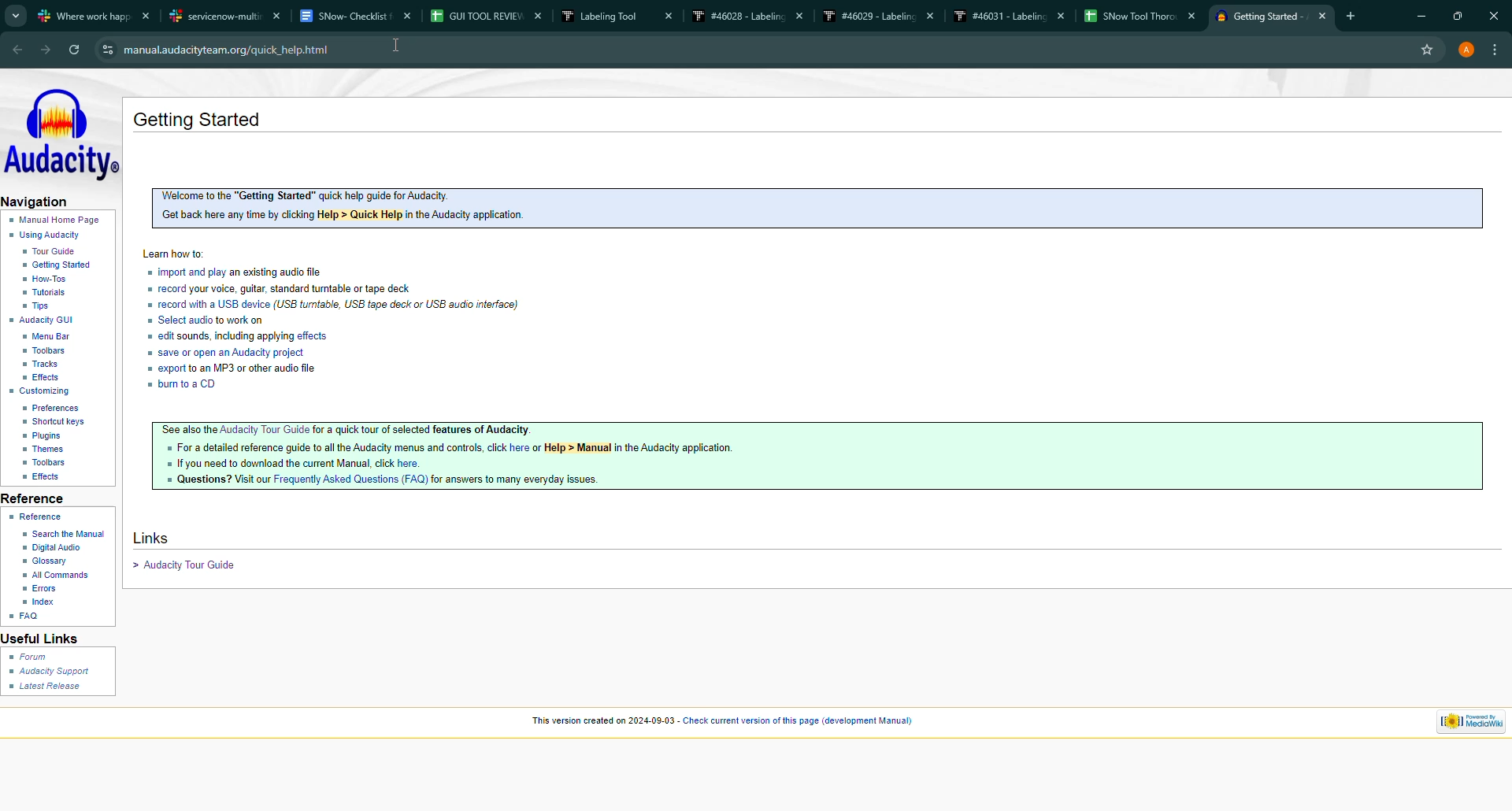 Image resolution: width=1512 pixels, height=811 pixels. Describe the element at coordinates (38, 602) in the screenshot. I see `index` at that location.